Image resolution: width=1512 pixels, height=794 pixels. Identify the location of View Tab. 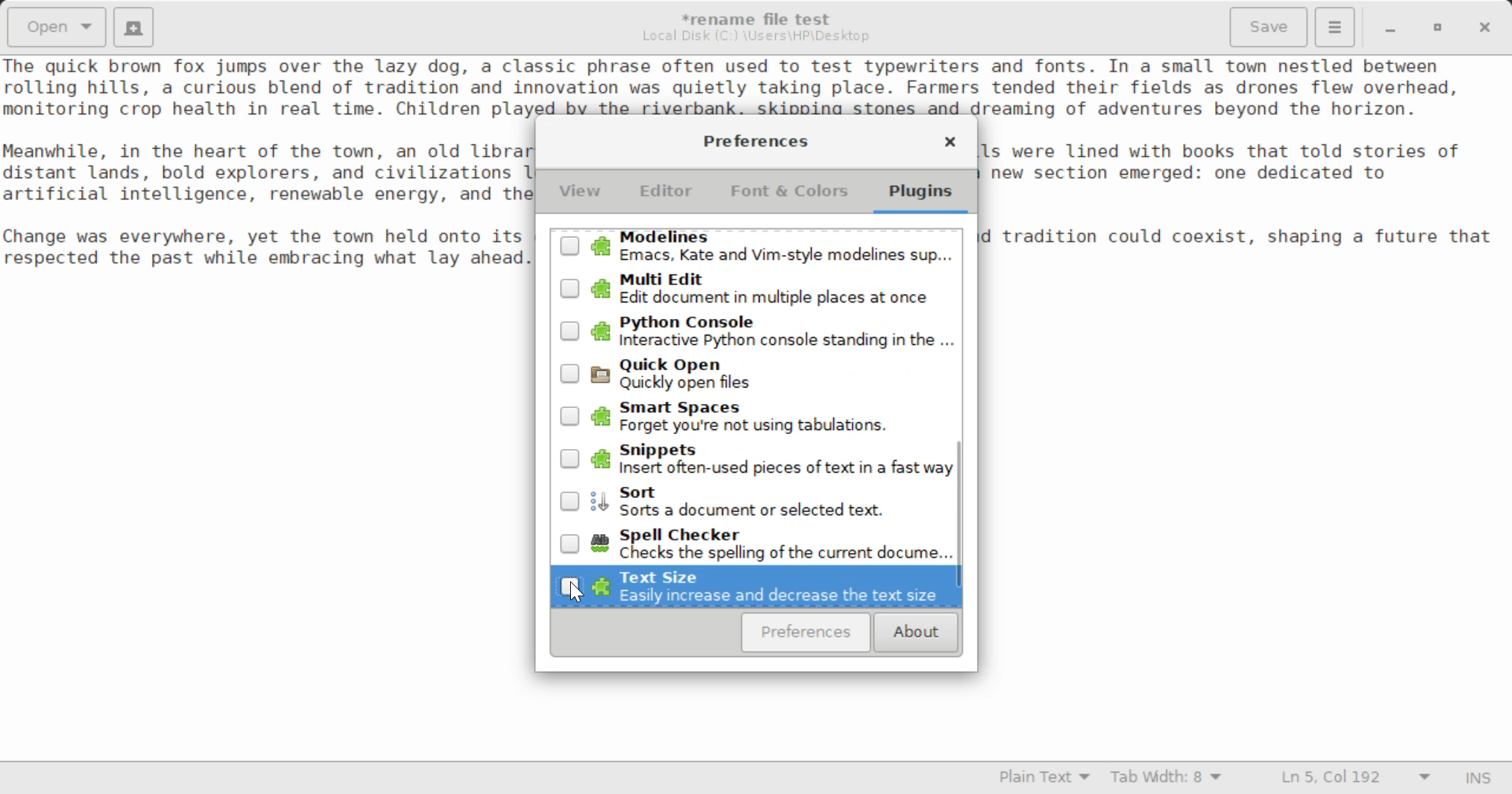
(580, 195).